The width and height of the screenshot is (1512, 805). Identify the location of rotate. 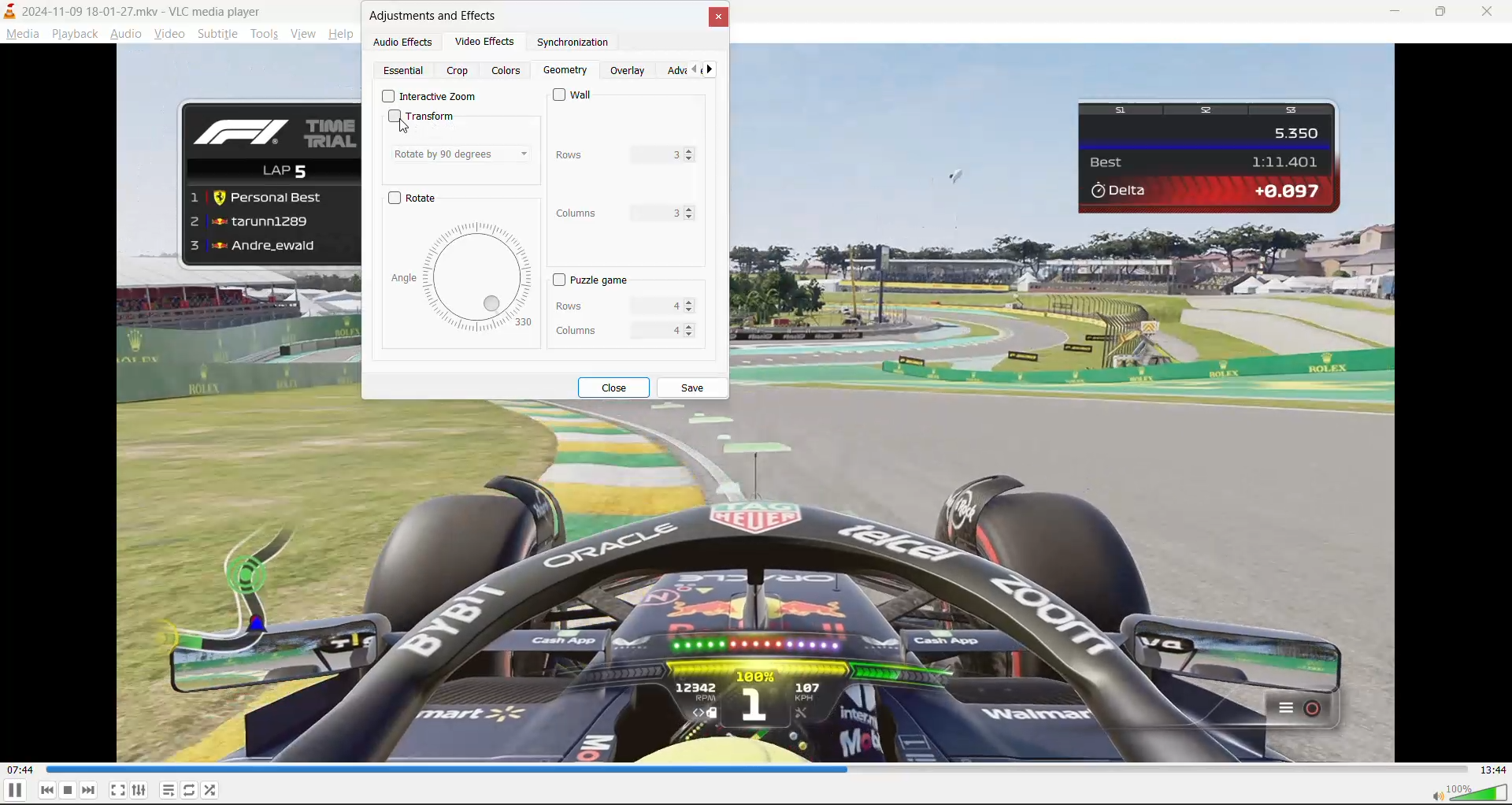
(414, 198).